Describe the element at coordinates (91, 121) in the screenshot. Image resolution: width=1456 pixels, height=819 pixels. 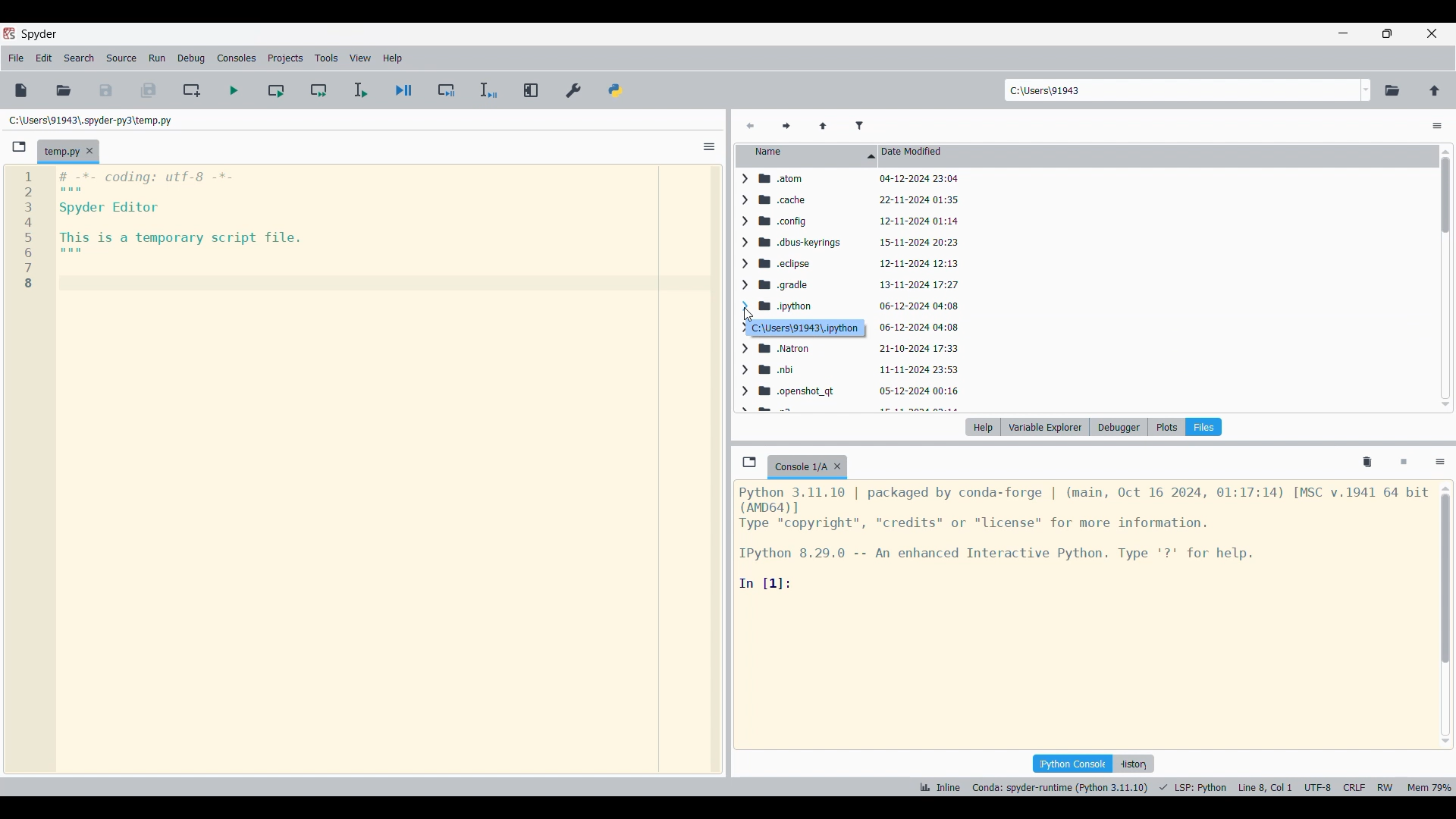
I see `File location` at that location.